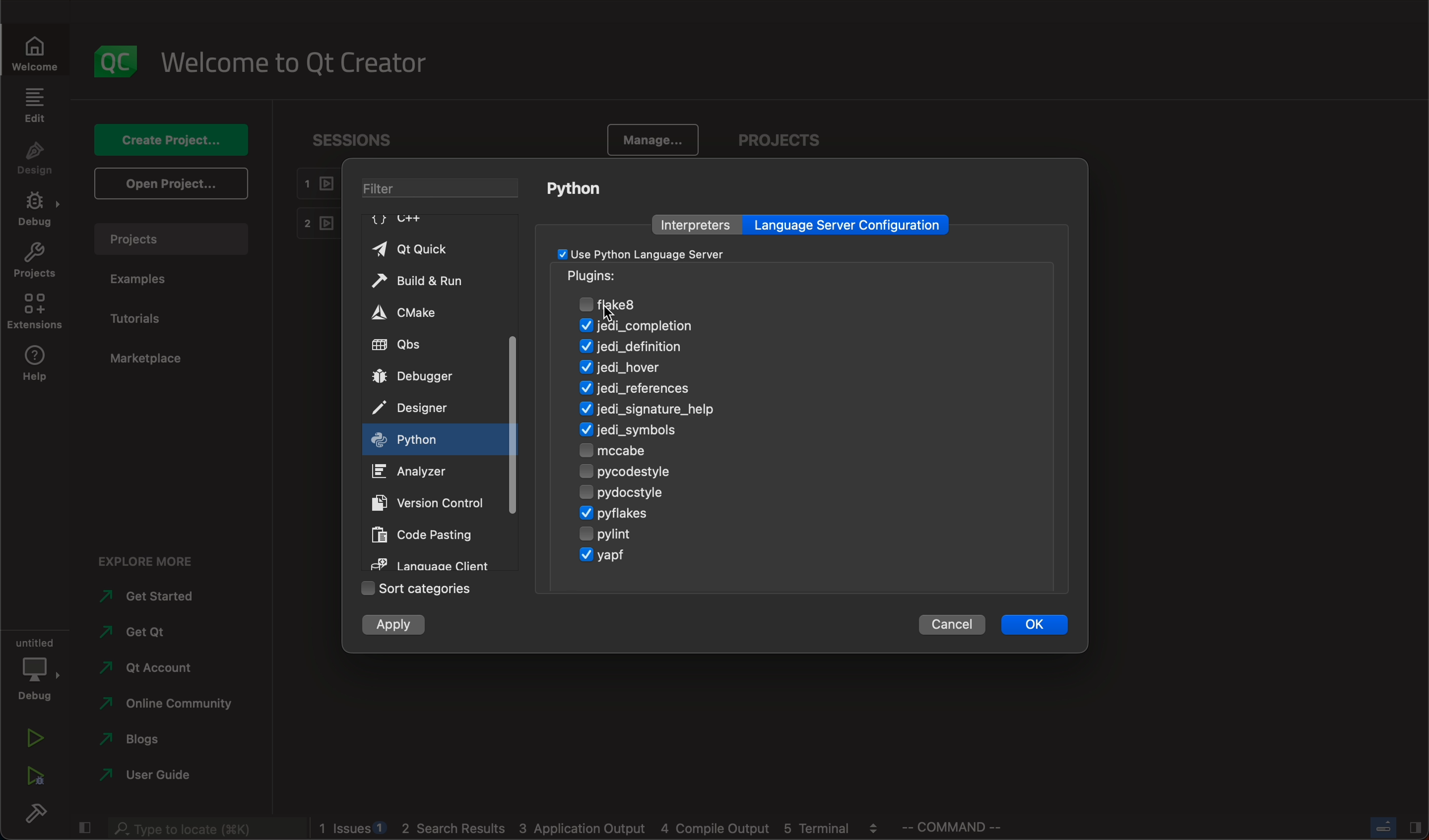  What do you see at coordinates (591, 277) in the screenshot?
I see `pugins` at bounding box center [591, 277].